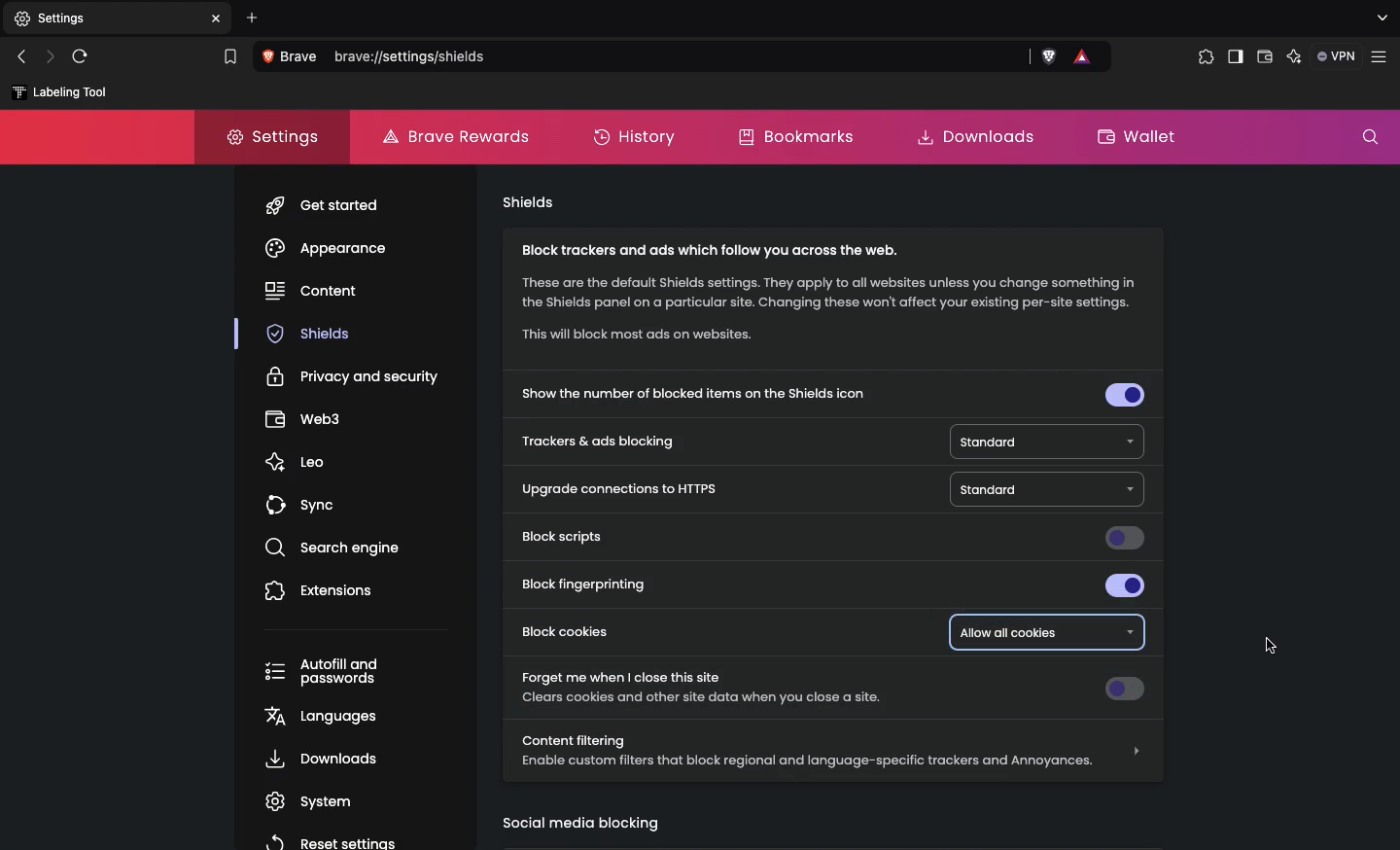 This screenshot has width=1400, height=850. I want to click on bookmark this tab, so click(230, 55).